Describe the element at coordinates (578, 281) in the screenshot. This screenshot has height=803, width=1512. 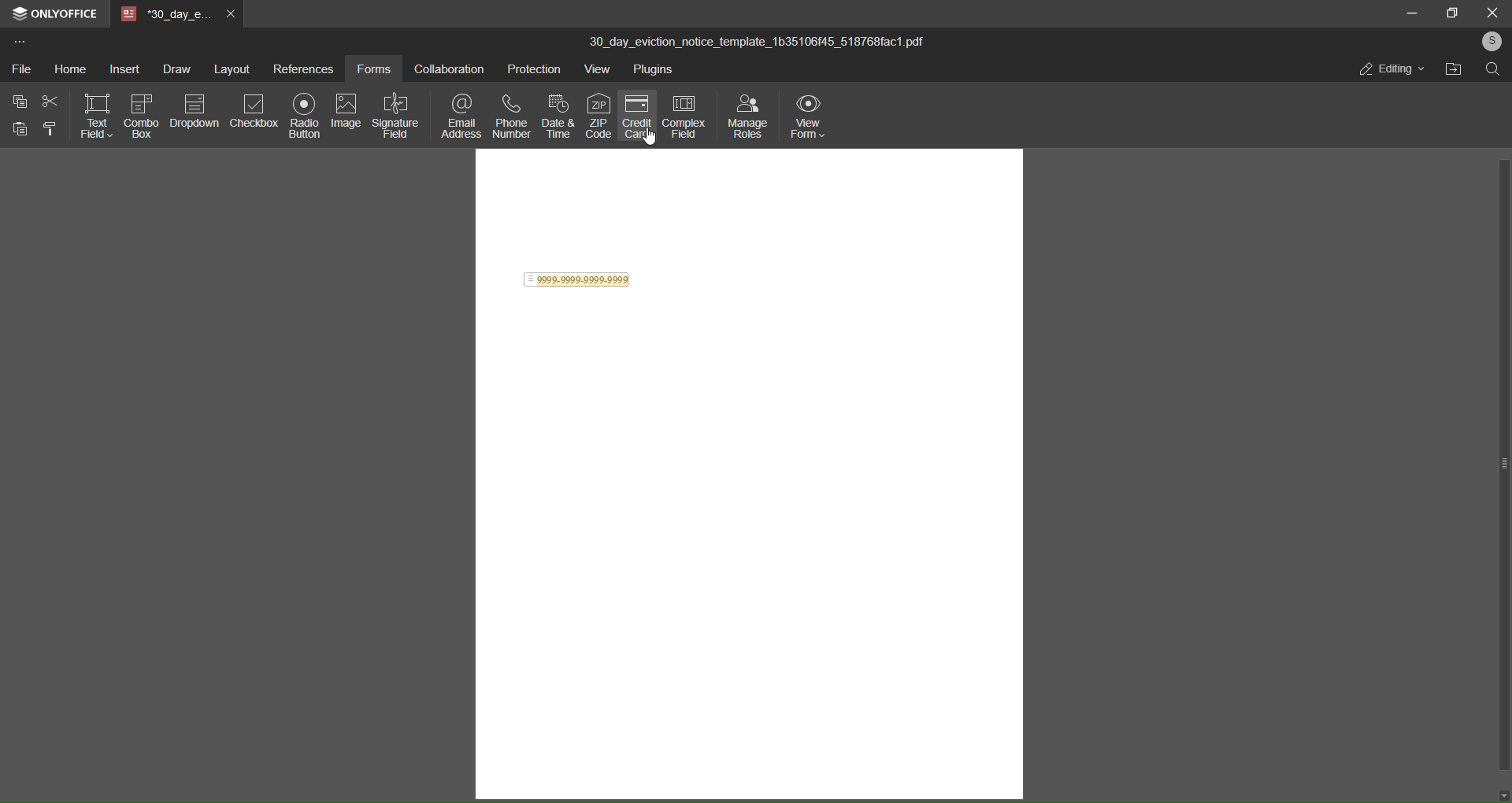
I see `write credit card here` at that location.